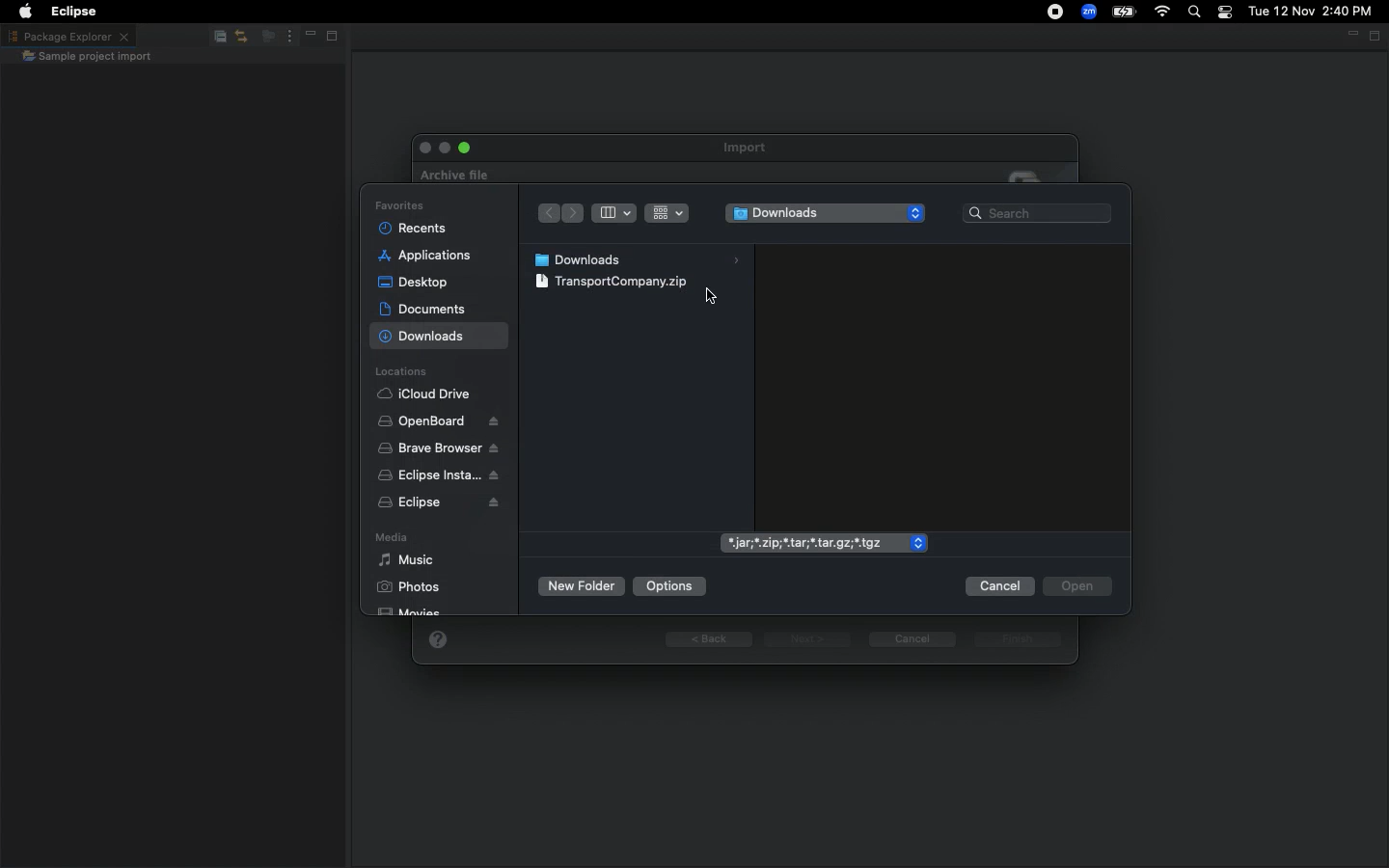  What do you see at coordinates (433, 505) in the screenshot?
I see `Eclipse` at bounding box center [433, 505].